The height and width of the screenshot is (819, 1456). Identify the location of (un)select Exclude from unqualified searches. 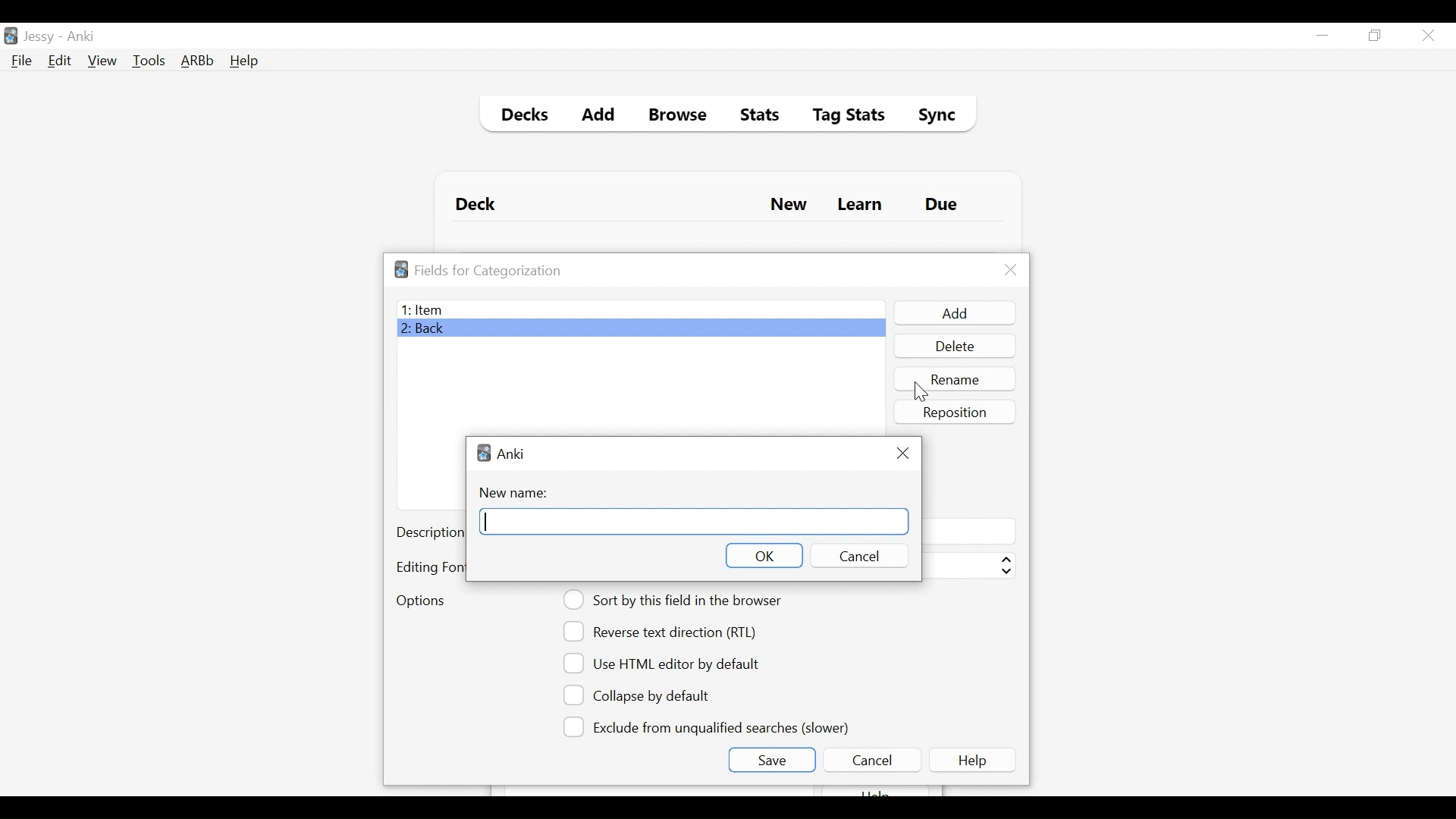
(709, 726).